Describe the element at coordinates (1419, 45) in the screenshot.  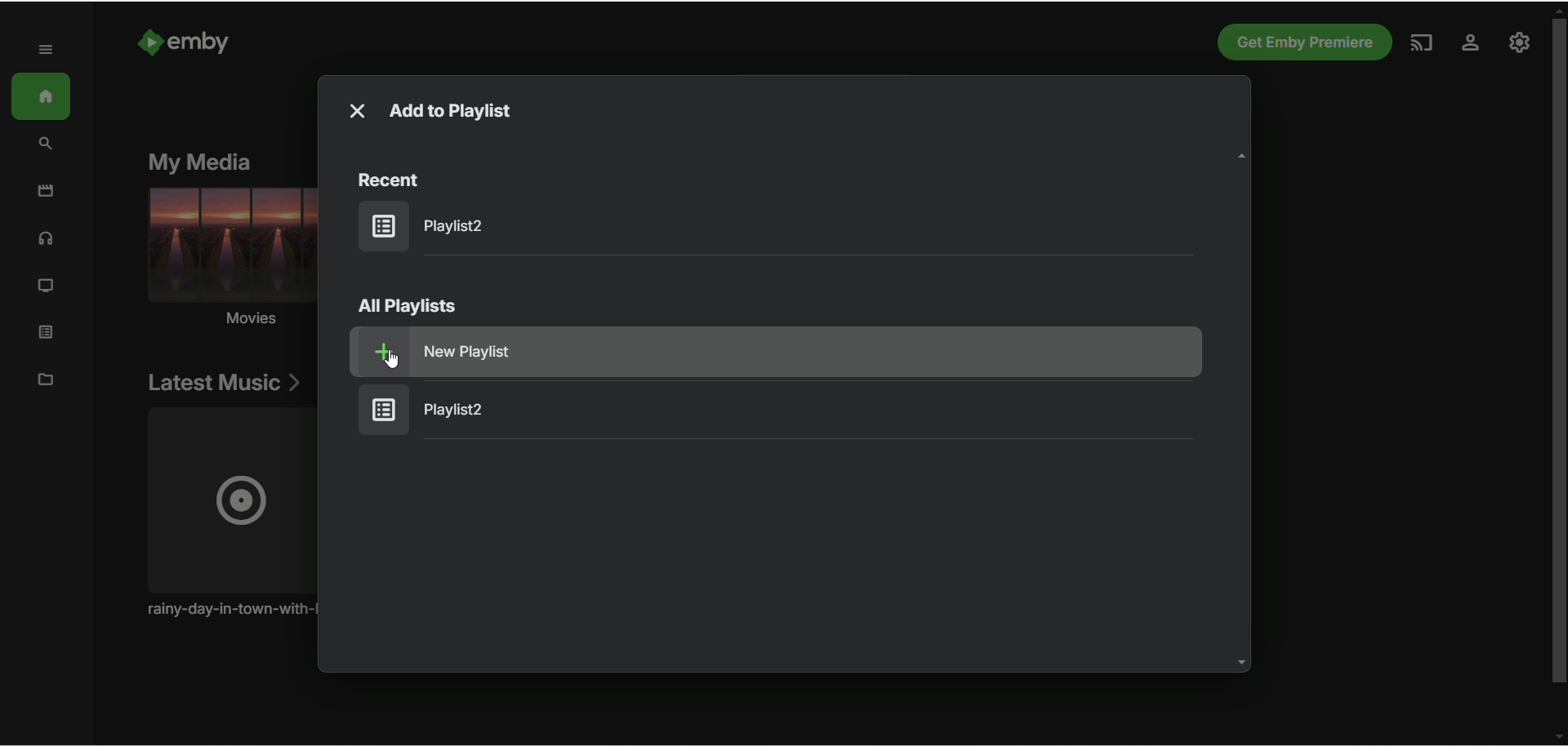
I see `play on another device` at that location.